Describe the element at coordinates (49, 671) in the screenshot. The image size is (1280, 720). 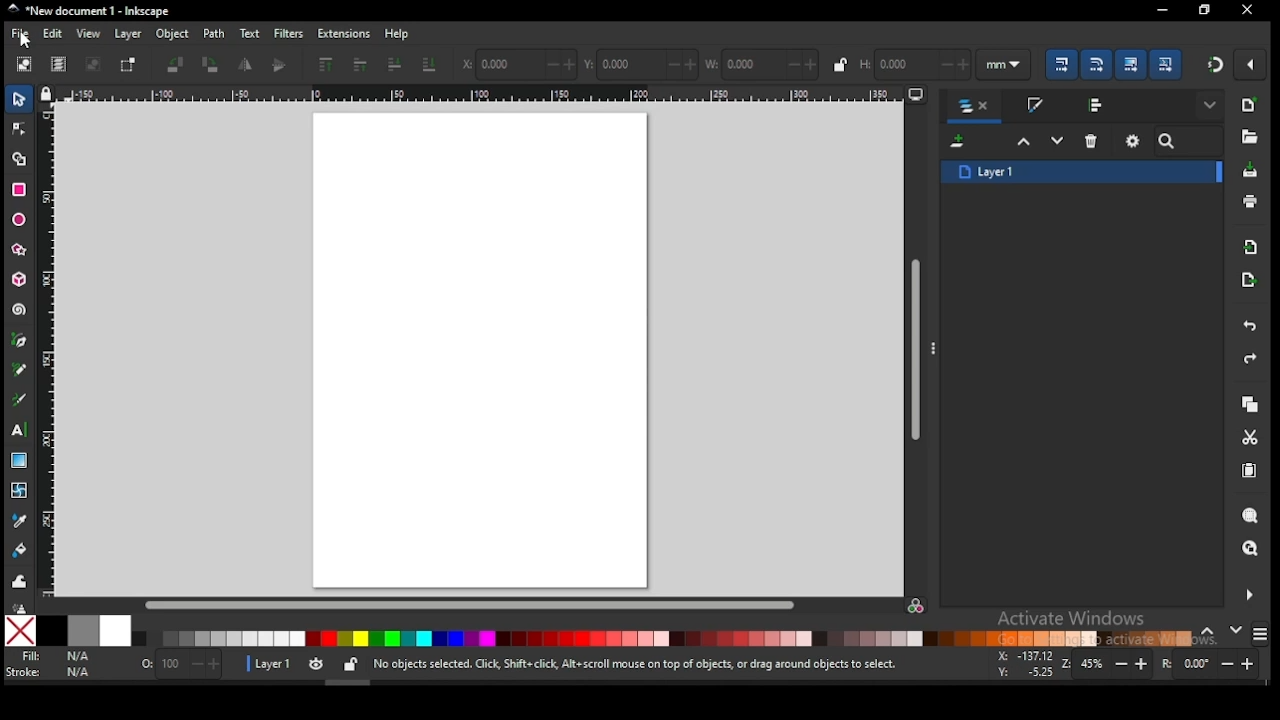
I see `stroke color` at that location.